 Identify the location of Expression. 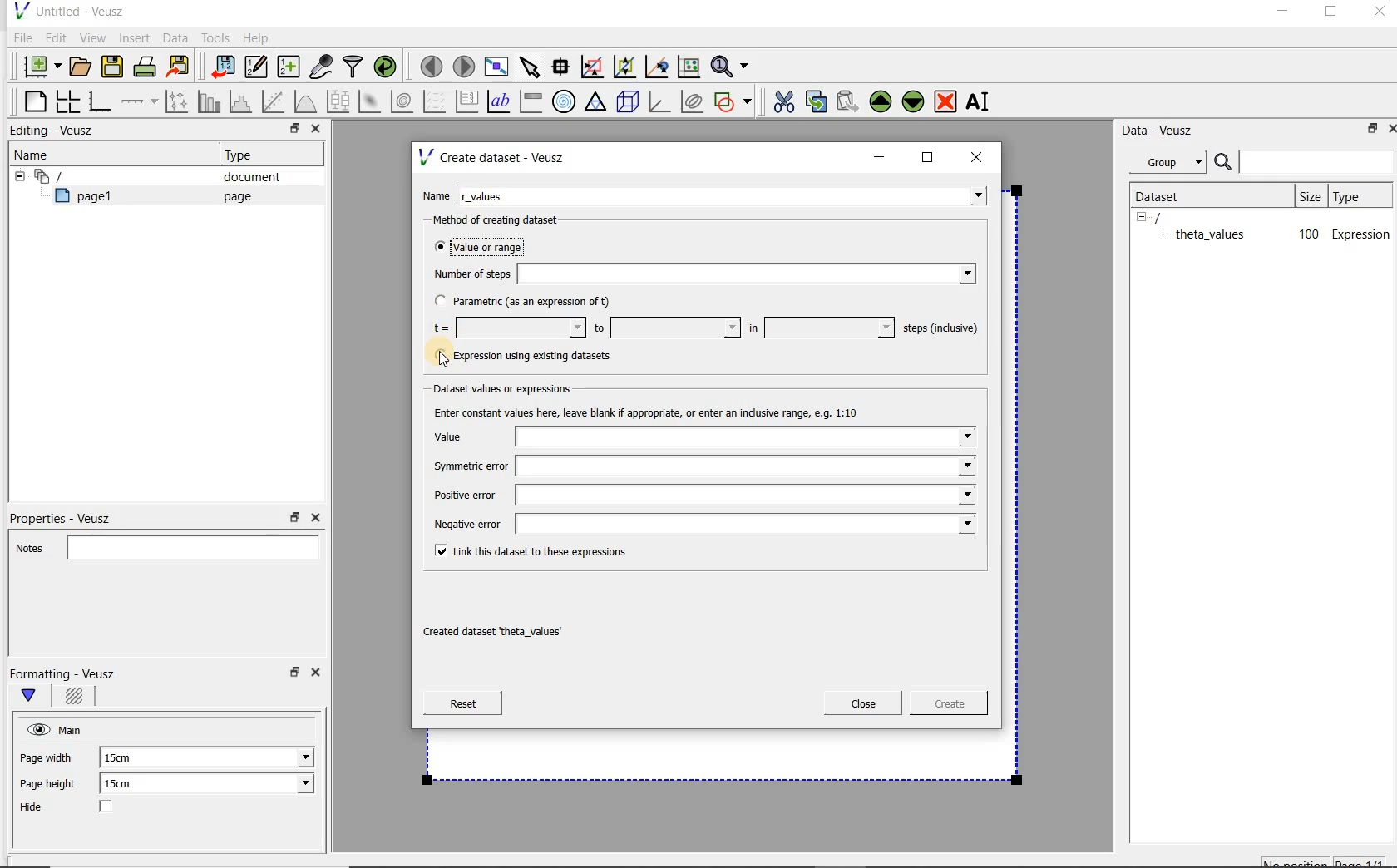
(1361, 234).